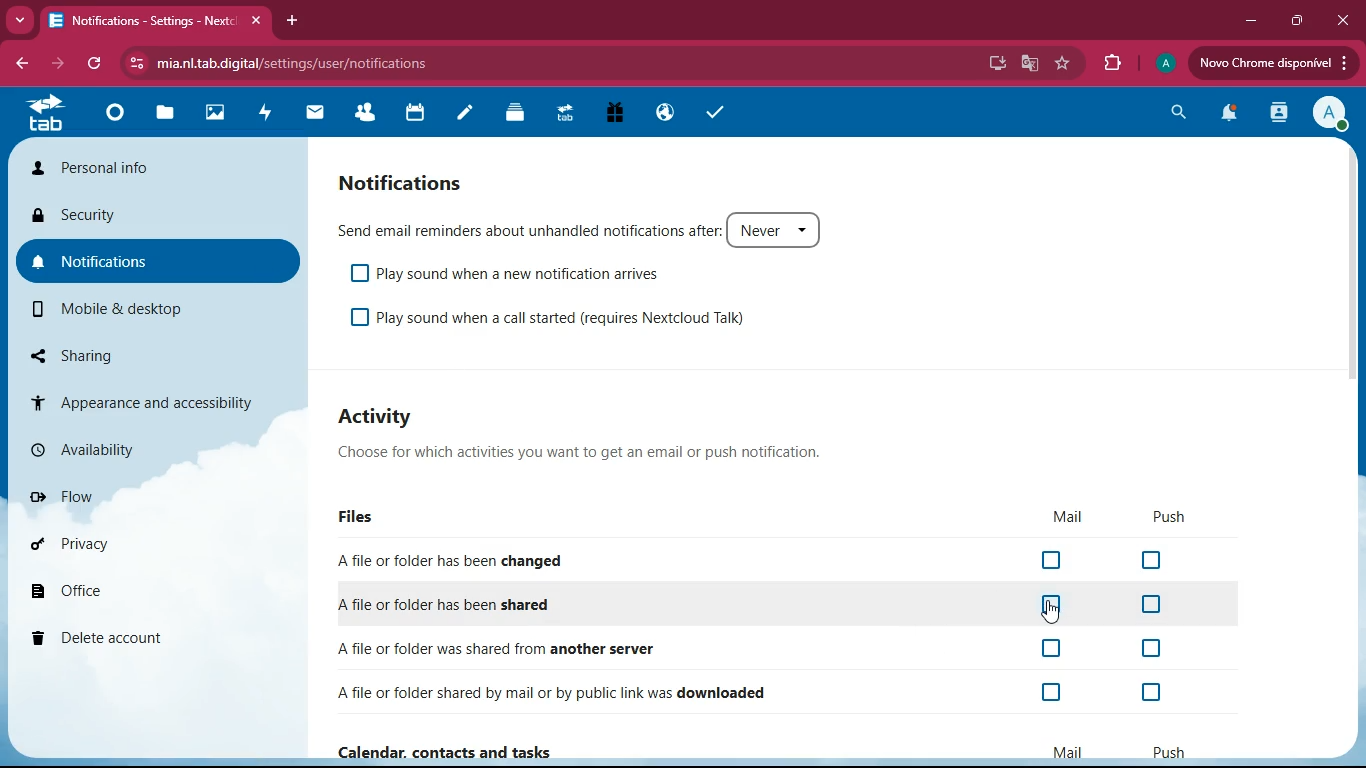 Image resolution: width=1366 pixels, height=768 pixels. What do you see at coordinates (390, 412) in the screenshot?
I see `activity` at bounding box center [390, 412].